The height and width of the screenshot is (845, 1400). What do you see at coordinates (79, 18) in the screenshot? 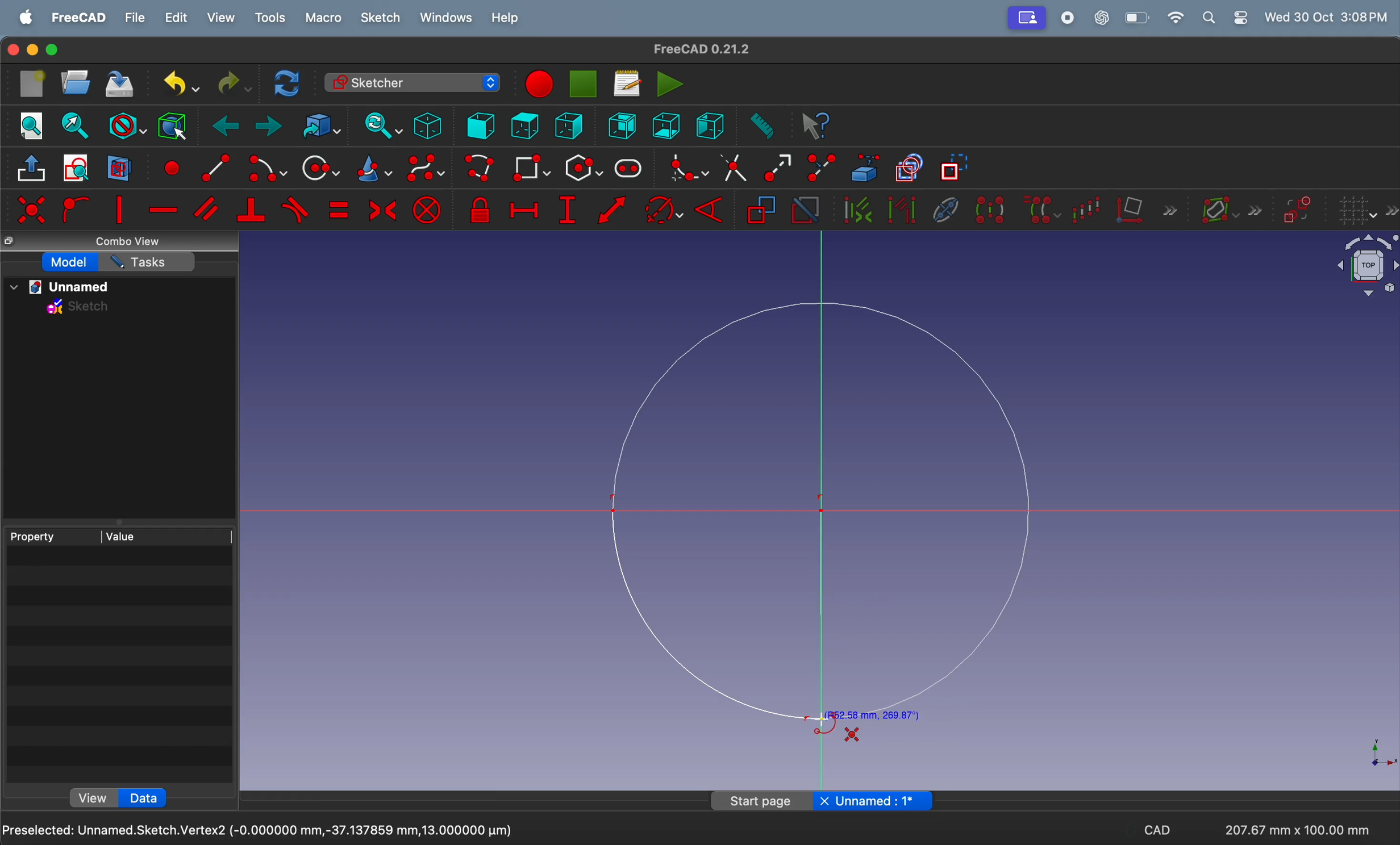
I see `freeCad` at bounding box center [79, 18].